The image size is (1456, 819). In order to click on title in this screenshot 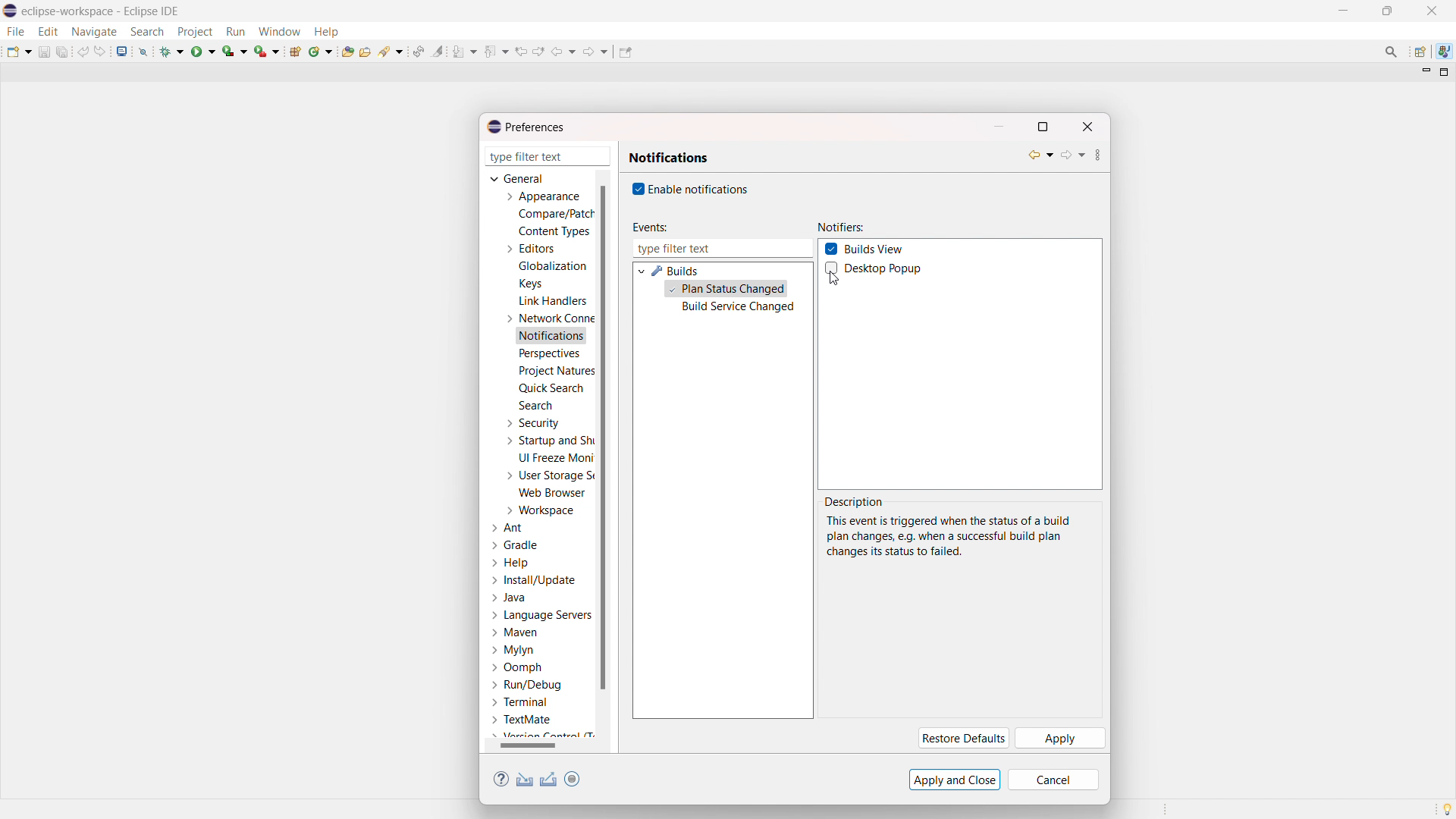, I will do `click(102, 11)`.